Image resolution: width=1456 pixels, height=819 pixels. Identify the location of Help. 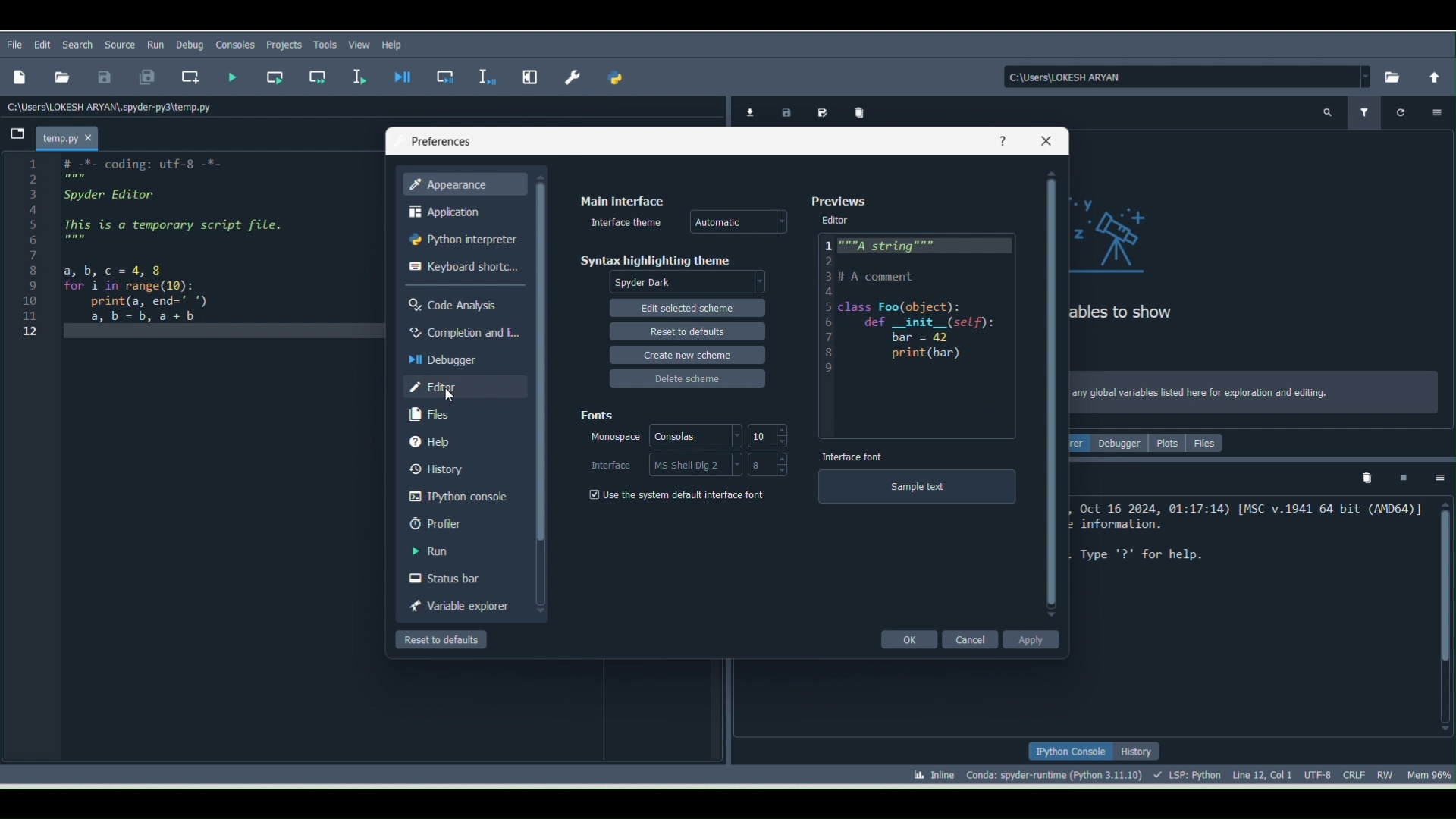
(1002, 140).